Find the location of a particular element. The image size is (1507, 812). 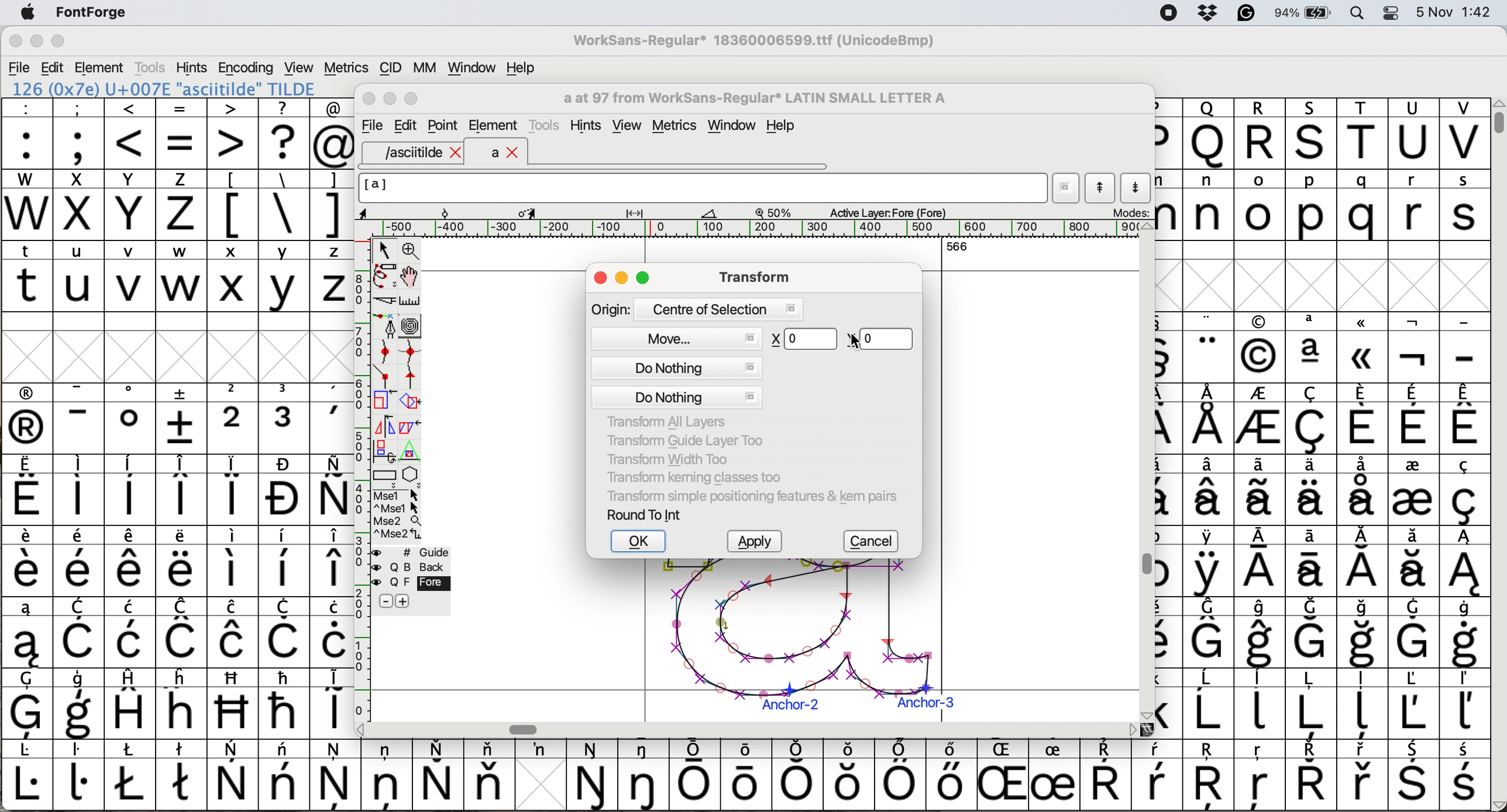

symbol is located at coordinates (27, 562).